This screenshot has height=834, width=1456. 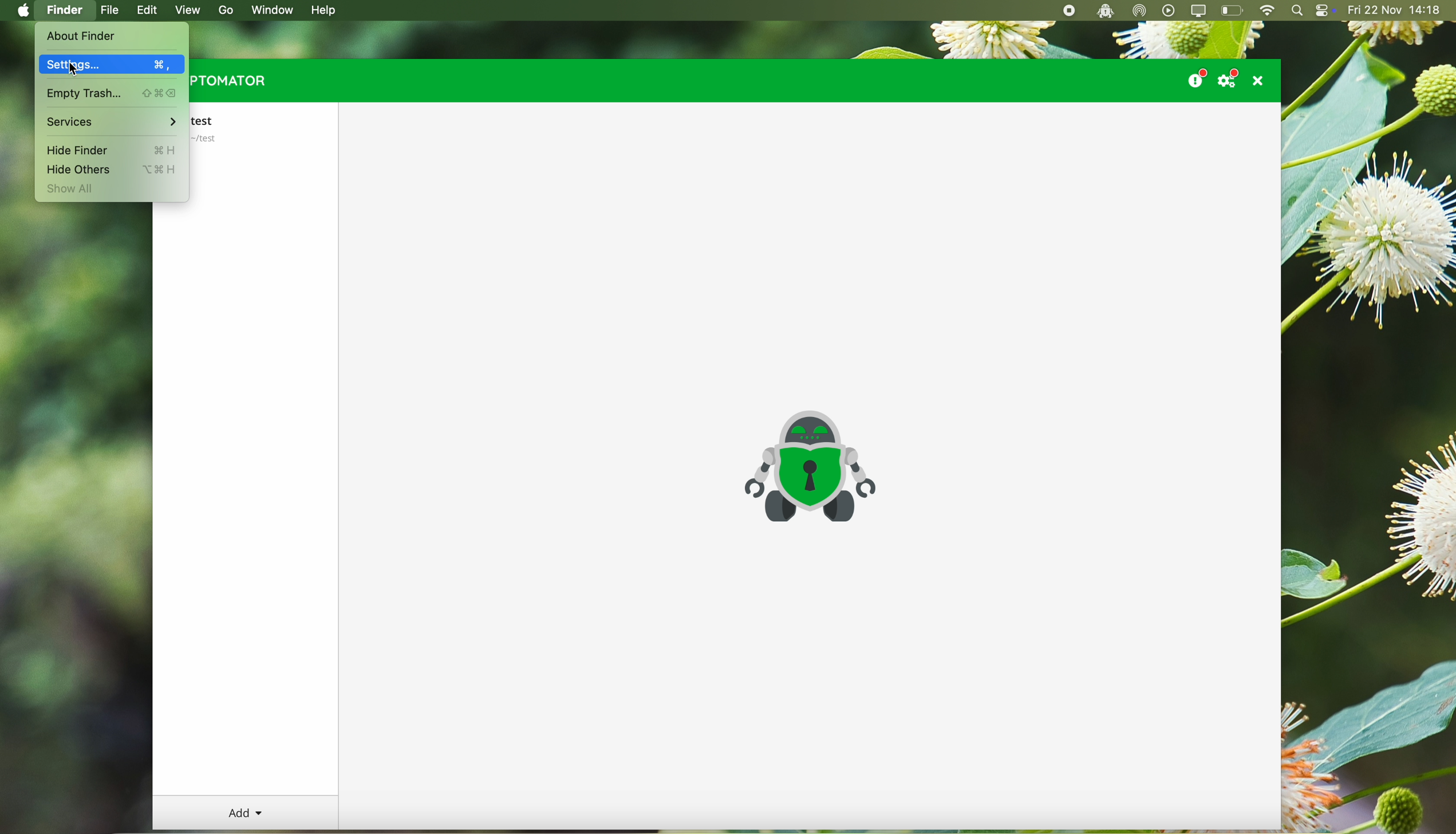 What do you see at coordinates (1169, 10) in the screenshot?
I see `play` at bounding box center [1169, 10].